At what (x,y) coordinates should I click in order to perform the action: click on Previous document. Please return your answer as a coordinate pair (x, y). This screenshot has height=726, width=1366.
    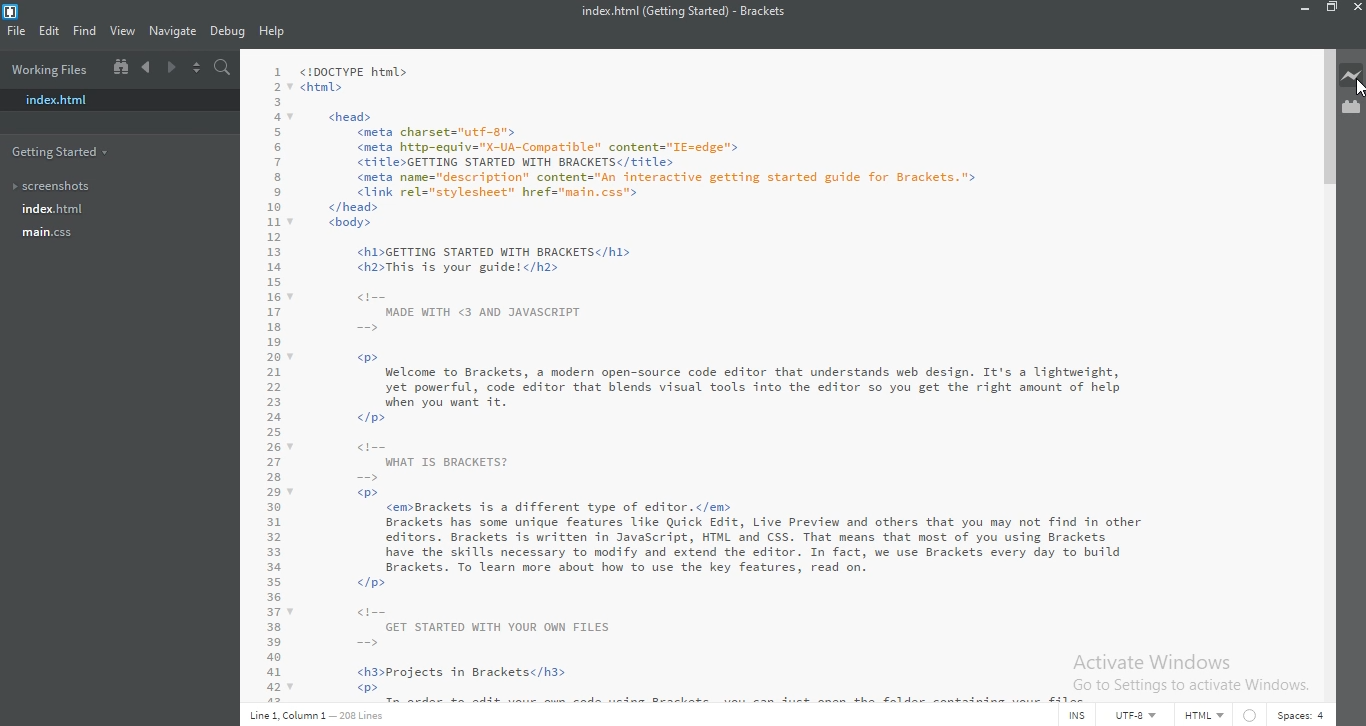
    Looking at the image, I should click on (147, 67).